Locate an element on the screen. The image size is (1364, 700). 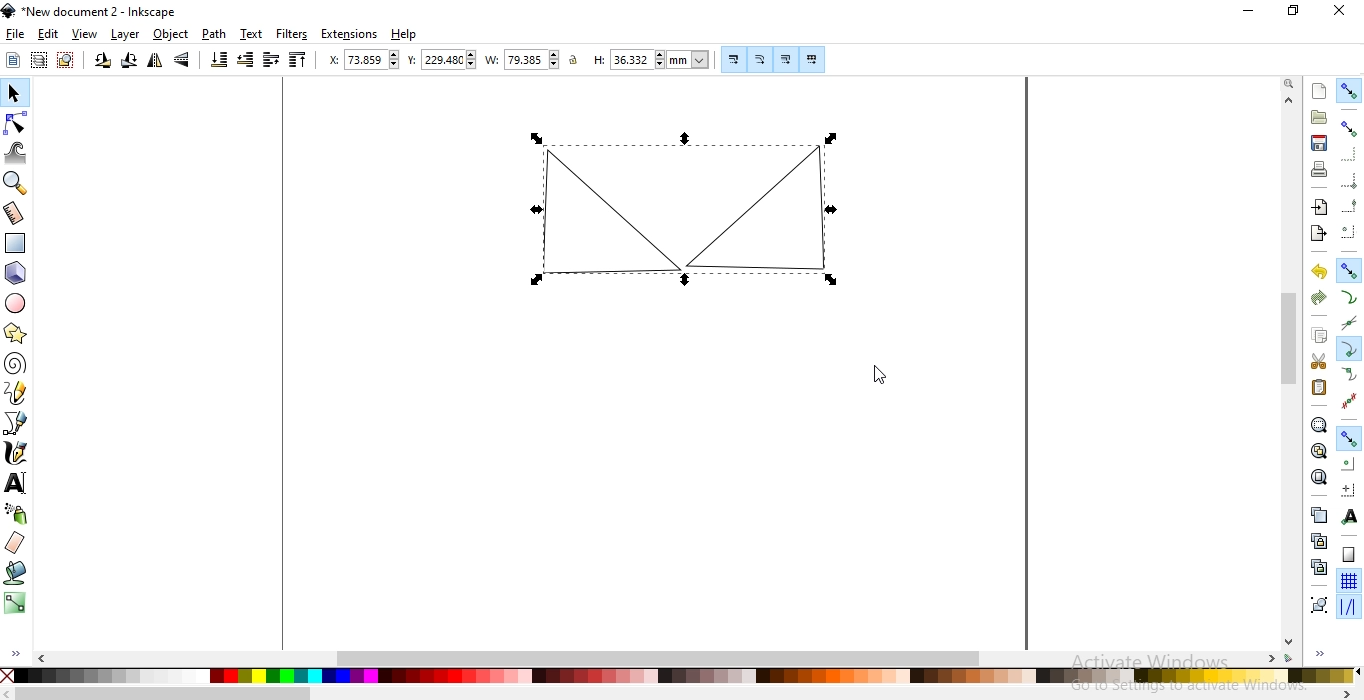
snap bounding box corners is located at coordinates (1349, 180).